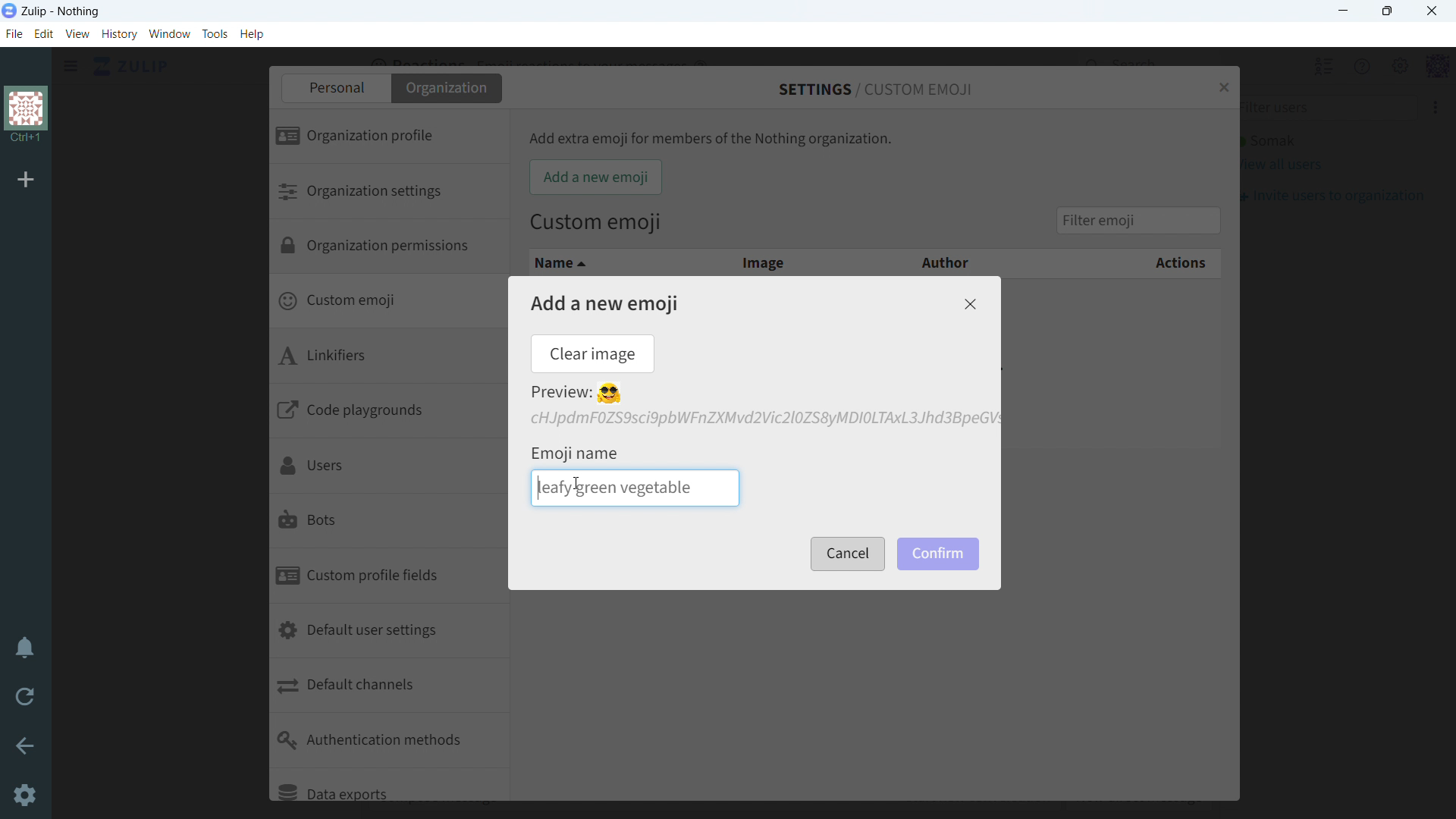 Image resolution: width=1456 pixels, height=819 pixels. What do you see at coordinates (388, 577) in the screenshot?
I see `custom profile fields` at bounding box center [388, 577].